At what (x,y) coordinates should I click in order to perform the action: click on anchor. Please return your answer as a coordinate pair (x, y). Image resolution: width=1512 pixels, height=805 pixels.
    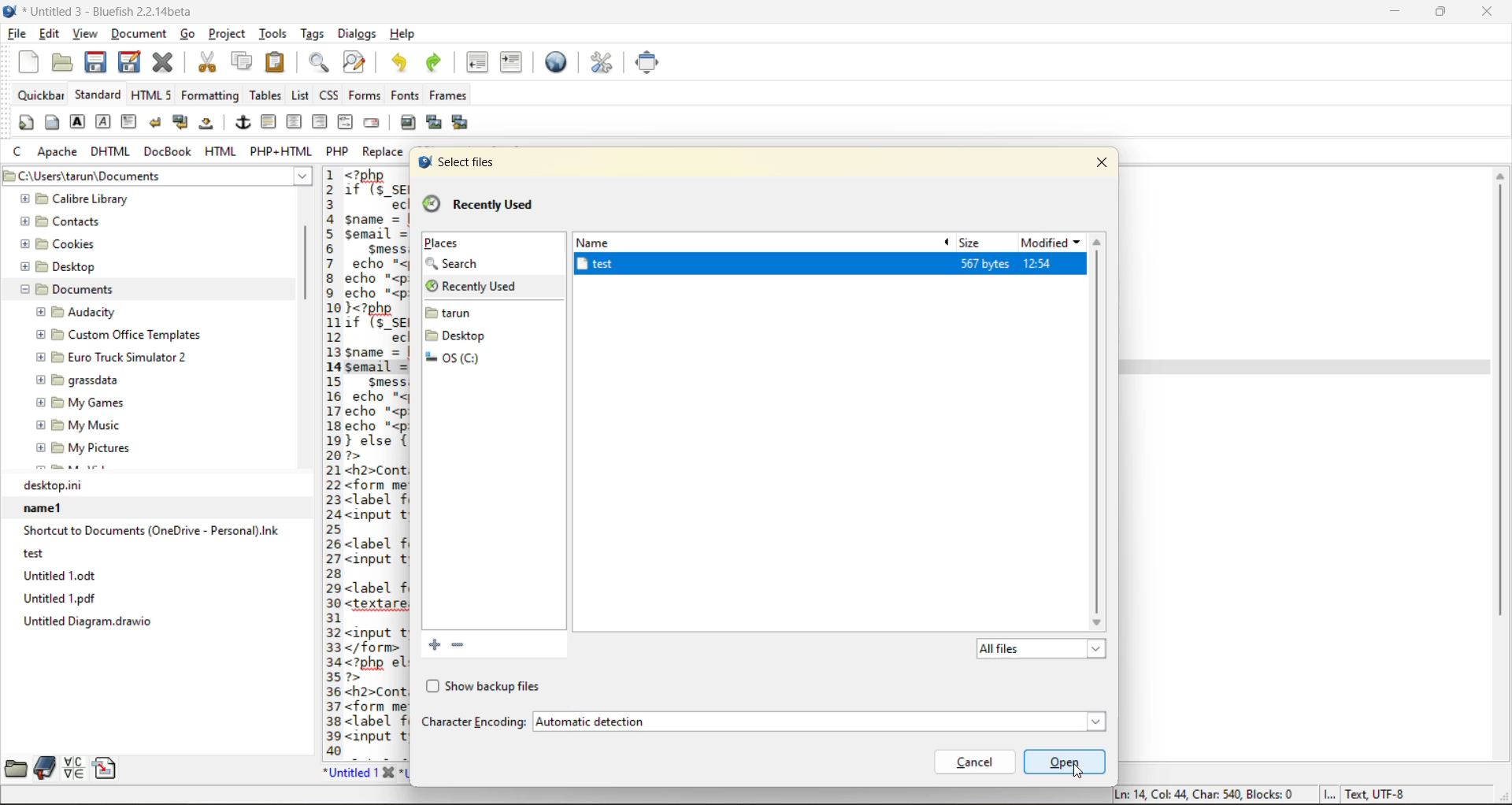
    Looking at the image, I should click on (243, 124).